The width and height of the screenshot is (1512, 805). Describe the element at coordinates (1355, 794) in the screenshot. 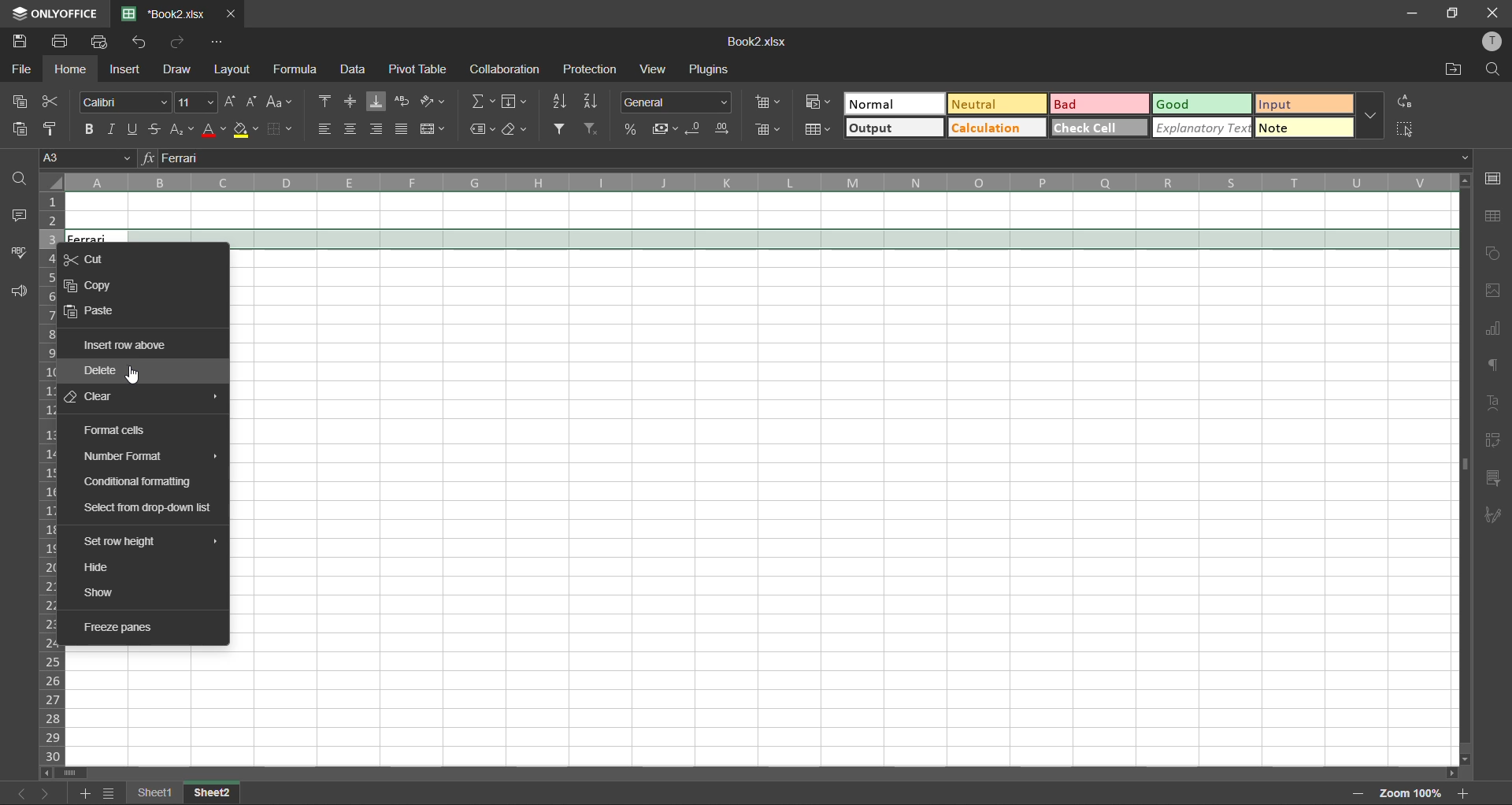

I see `zoom out` at that location.